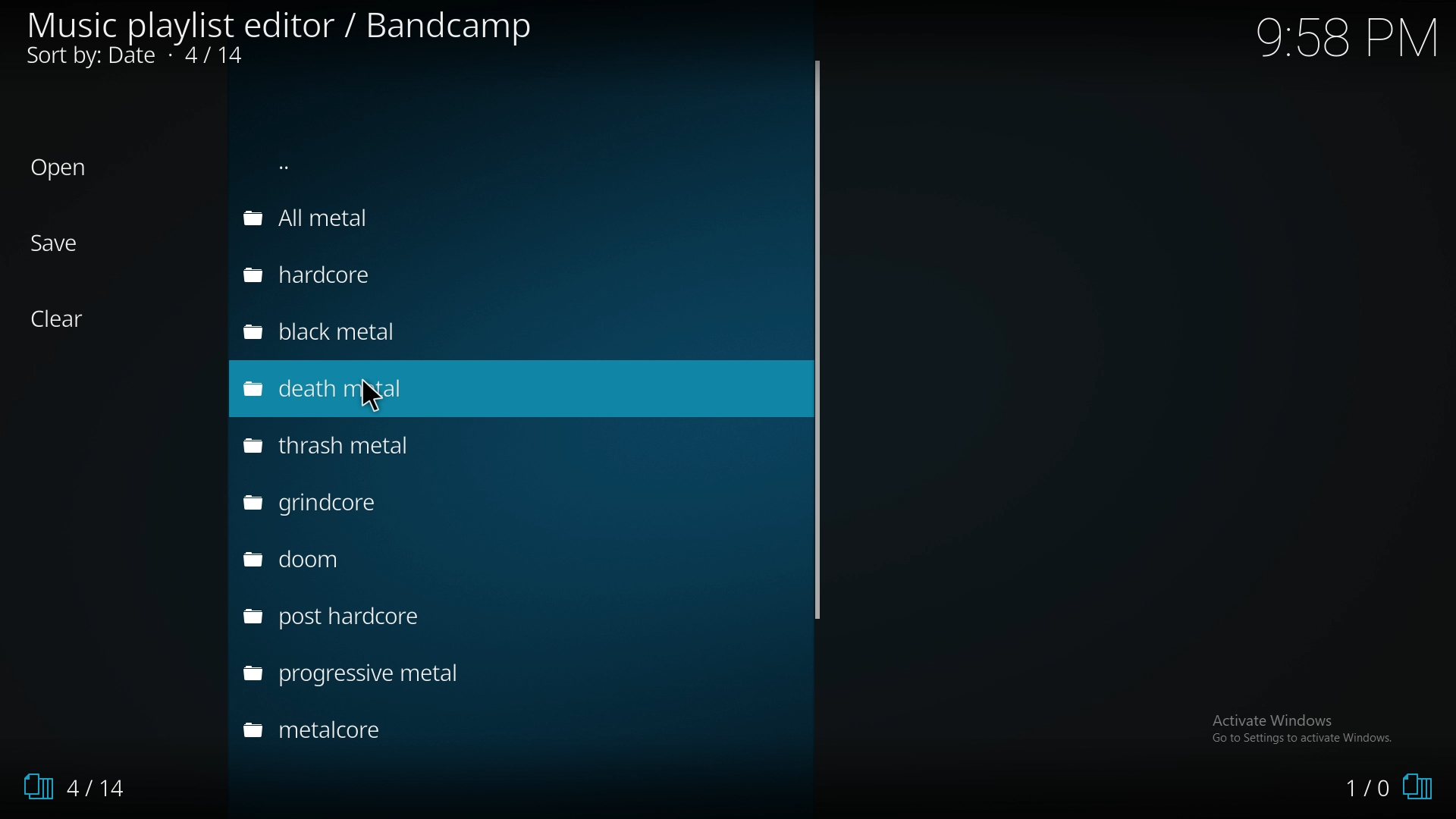 The image size is (1456, 819). What do you see at coordinates (360, 507) in the screenshot?
I see `music genre` at bounding box center [360, 507].